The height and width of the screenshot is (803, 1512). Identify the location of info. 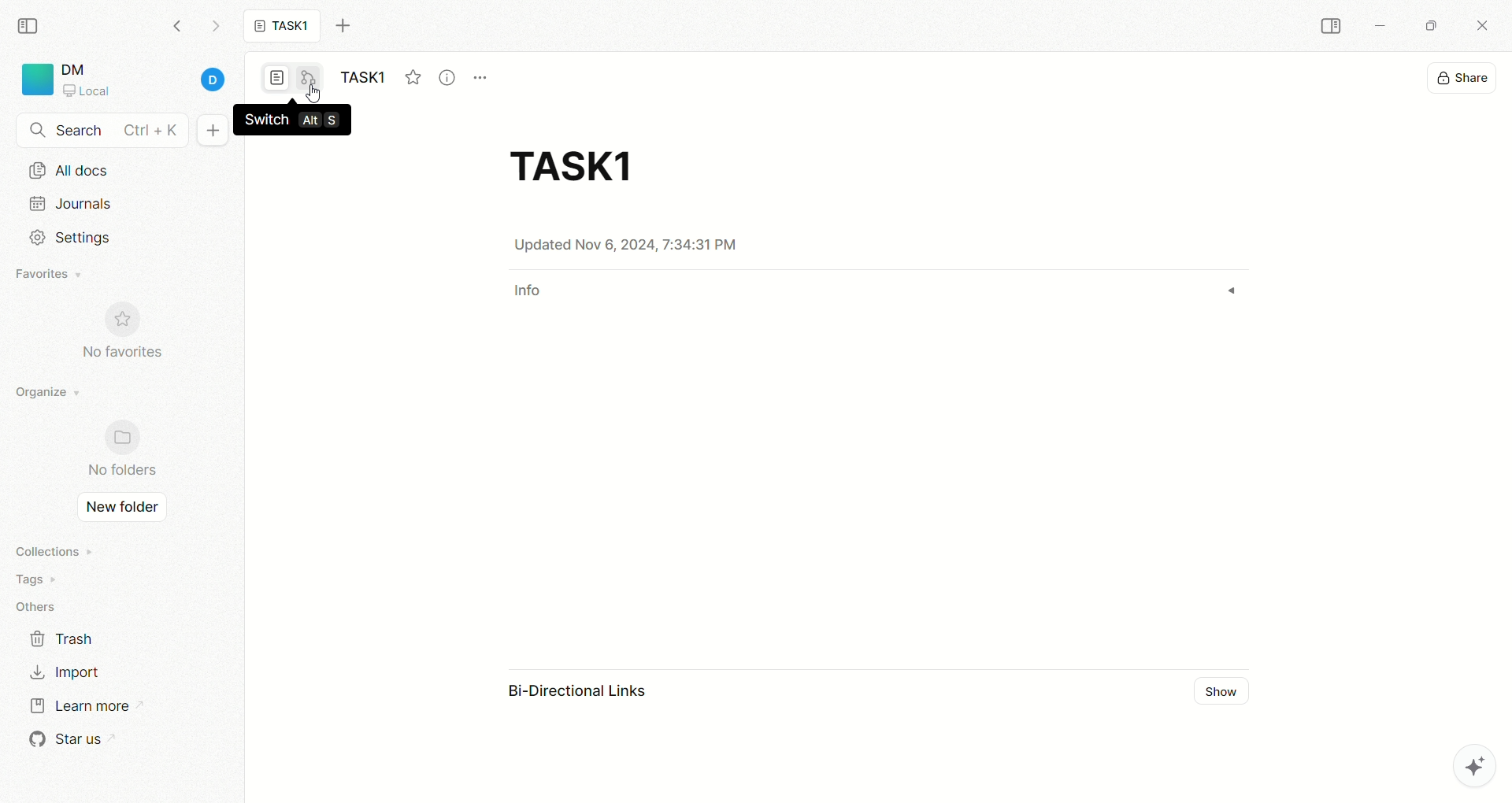
(532, 296).